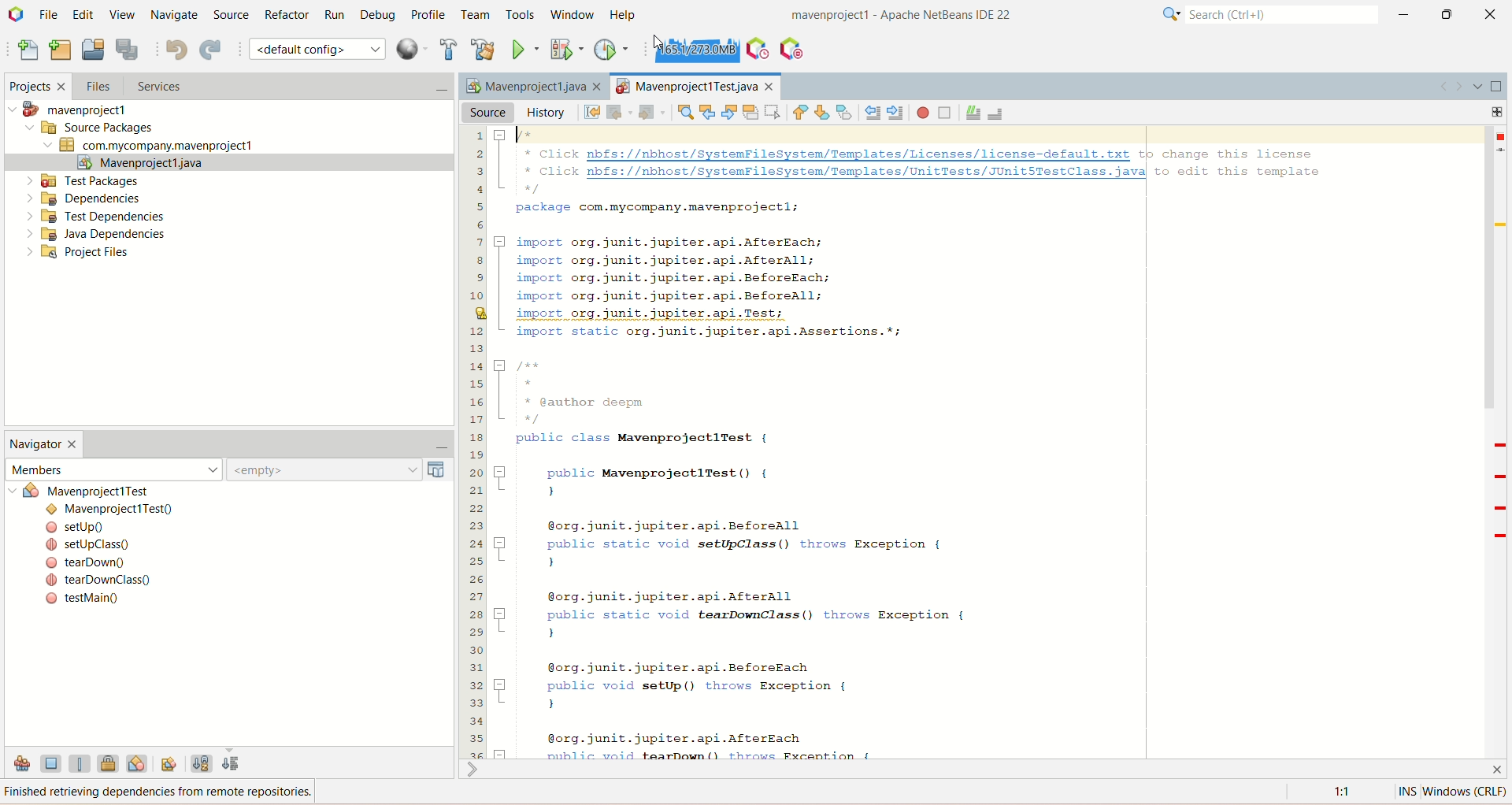 The height and width of the screenshot is (805, 1512). I want to click on shift line left, so click(873, 113).